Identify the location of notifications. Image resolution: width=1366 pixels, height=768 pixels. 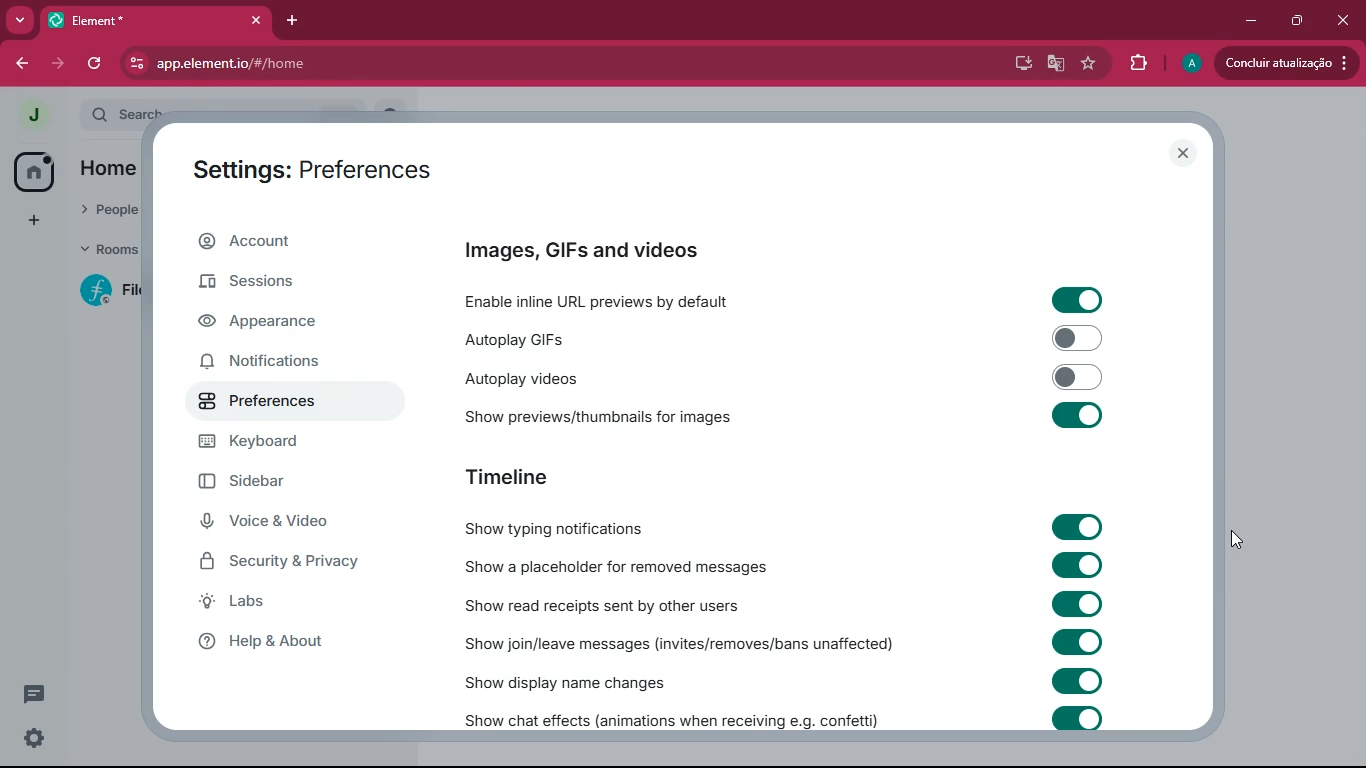
(259, 363).